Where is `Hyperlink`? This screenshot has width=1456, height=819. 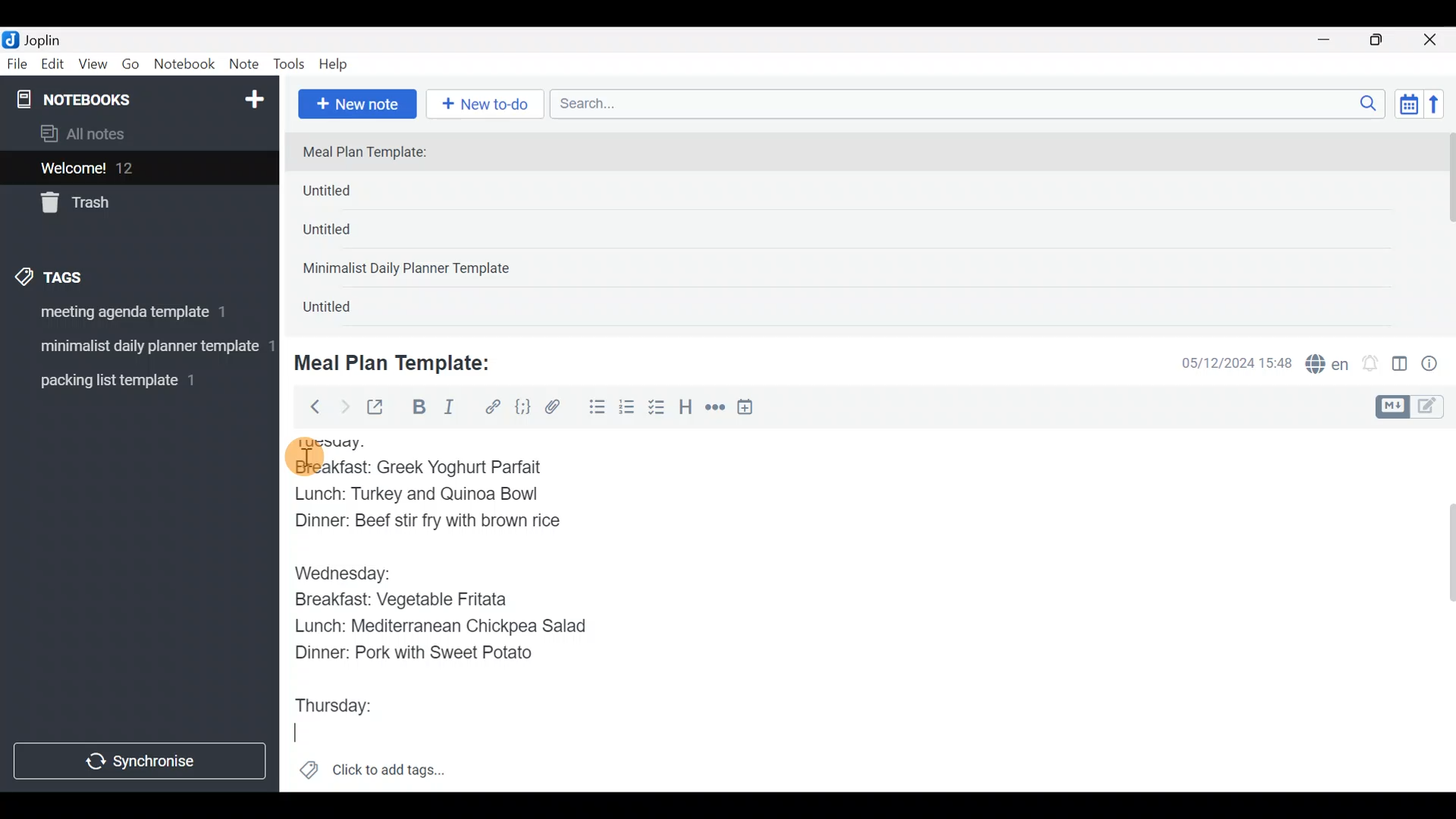
Hyperlink is located at coordinates (493, 407).